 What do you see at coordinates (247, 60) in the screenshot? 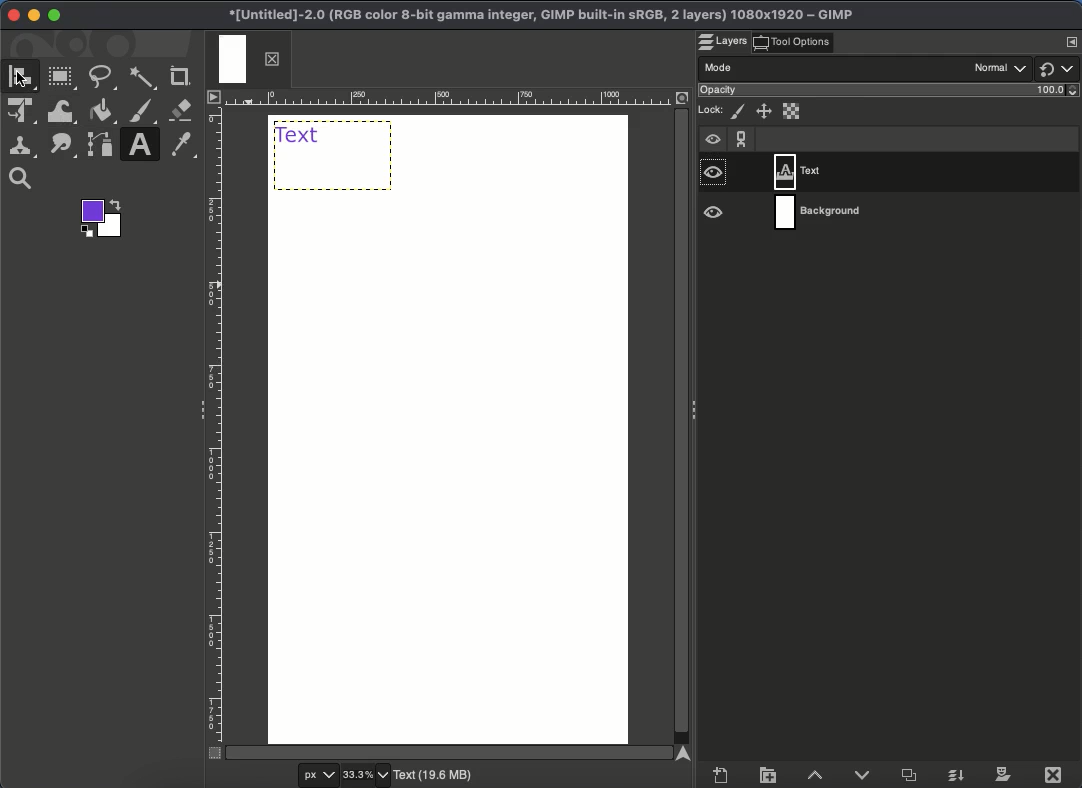
I see `Tab` at bounding box center [247, 60].